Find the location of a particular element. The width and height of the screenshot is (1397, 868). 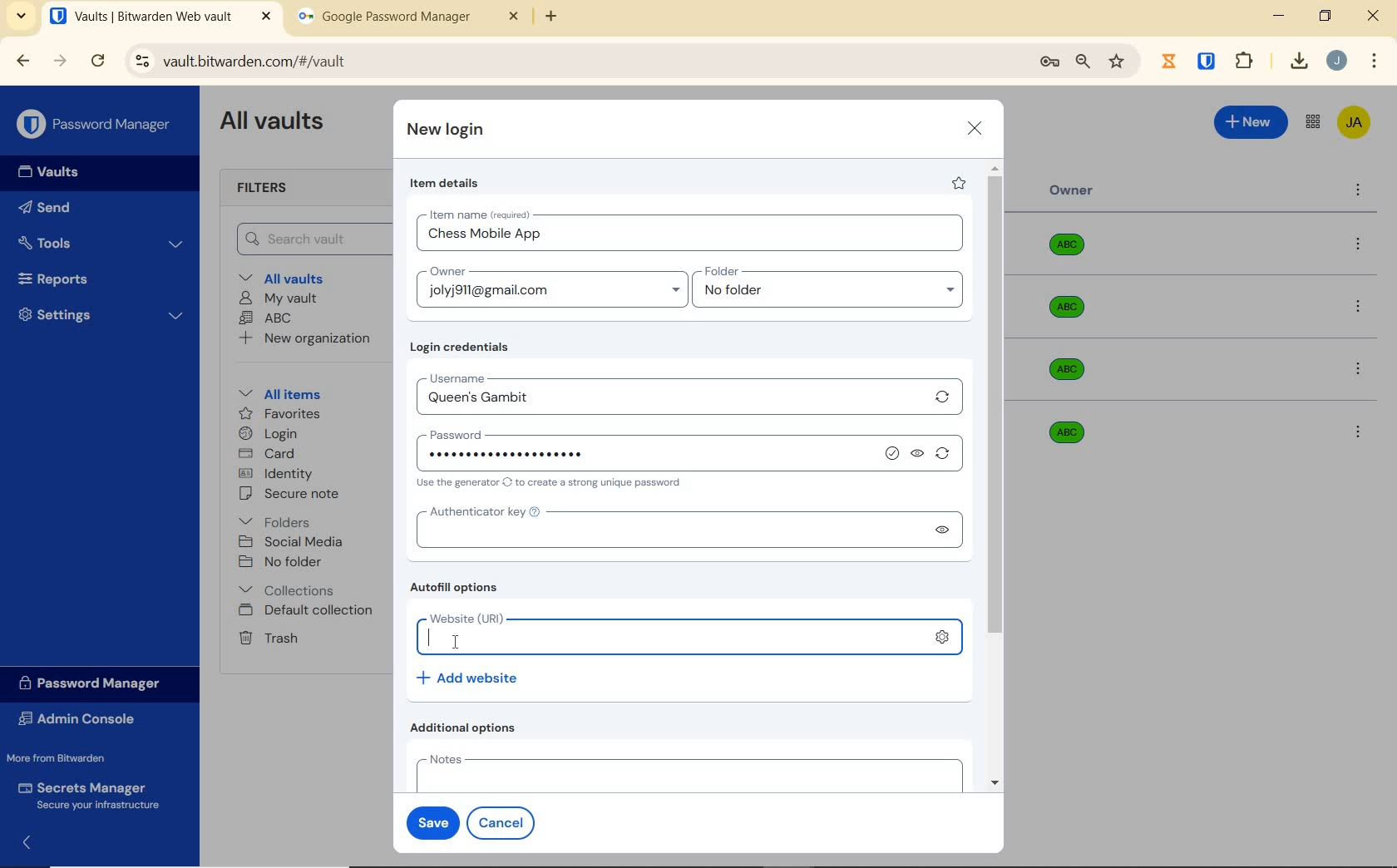

bookmark is located at coordinates (1118, 61).